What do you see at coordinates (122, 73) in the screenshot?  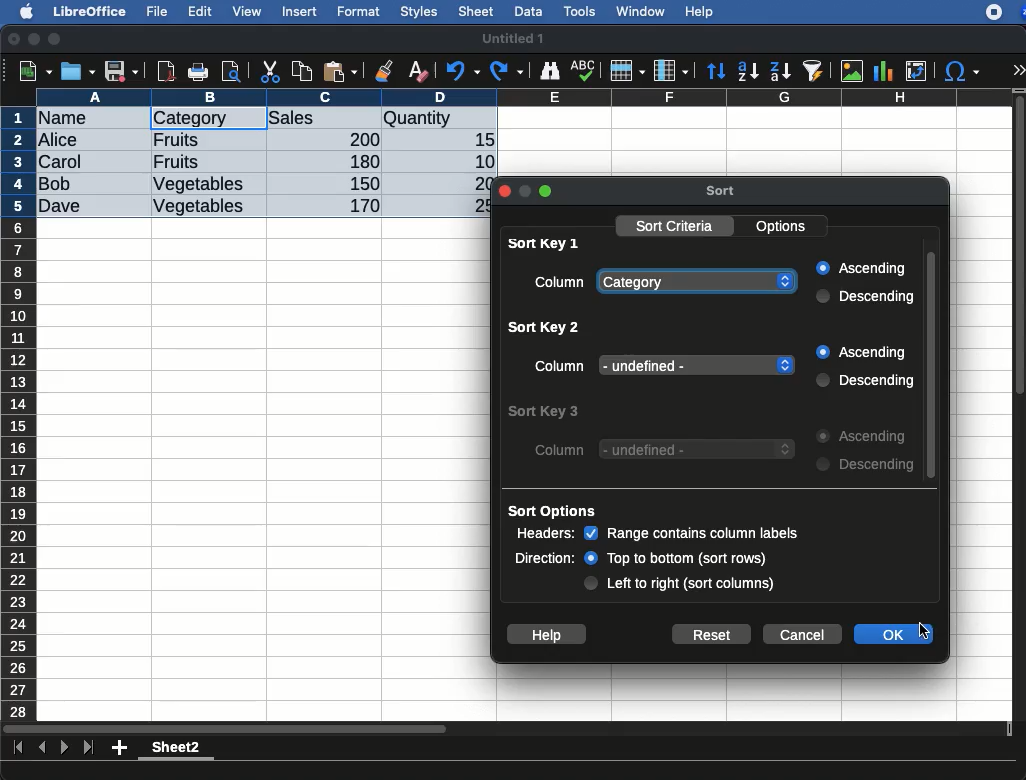 I see `save` at bounding box center [122, 73].